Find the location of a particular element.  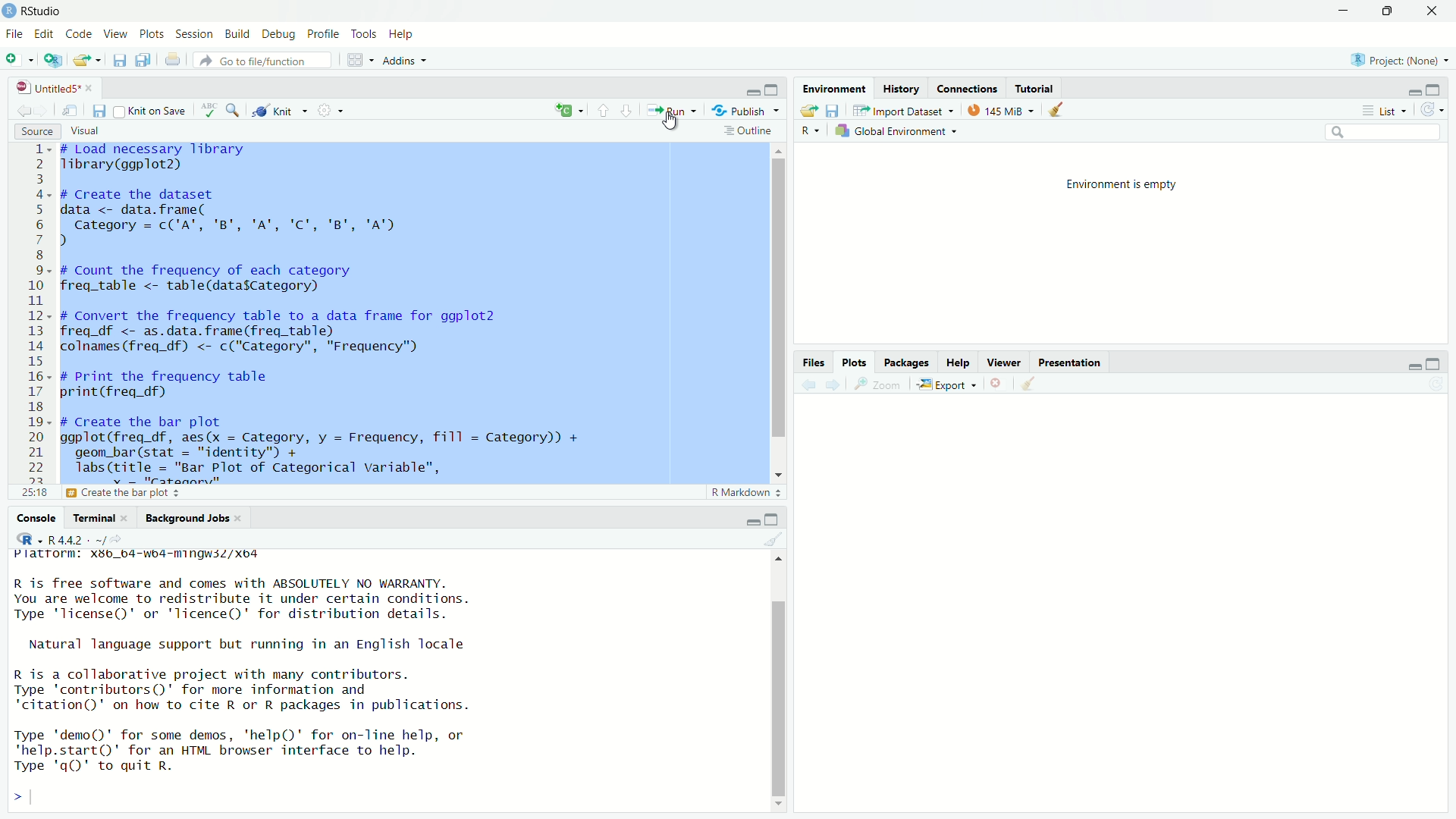

145 MiB is located at coordinates (997, 111).